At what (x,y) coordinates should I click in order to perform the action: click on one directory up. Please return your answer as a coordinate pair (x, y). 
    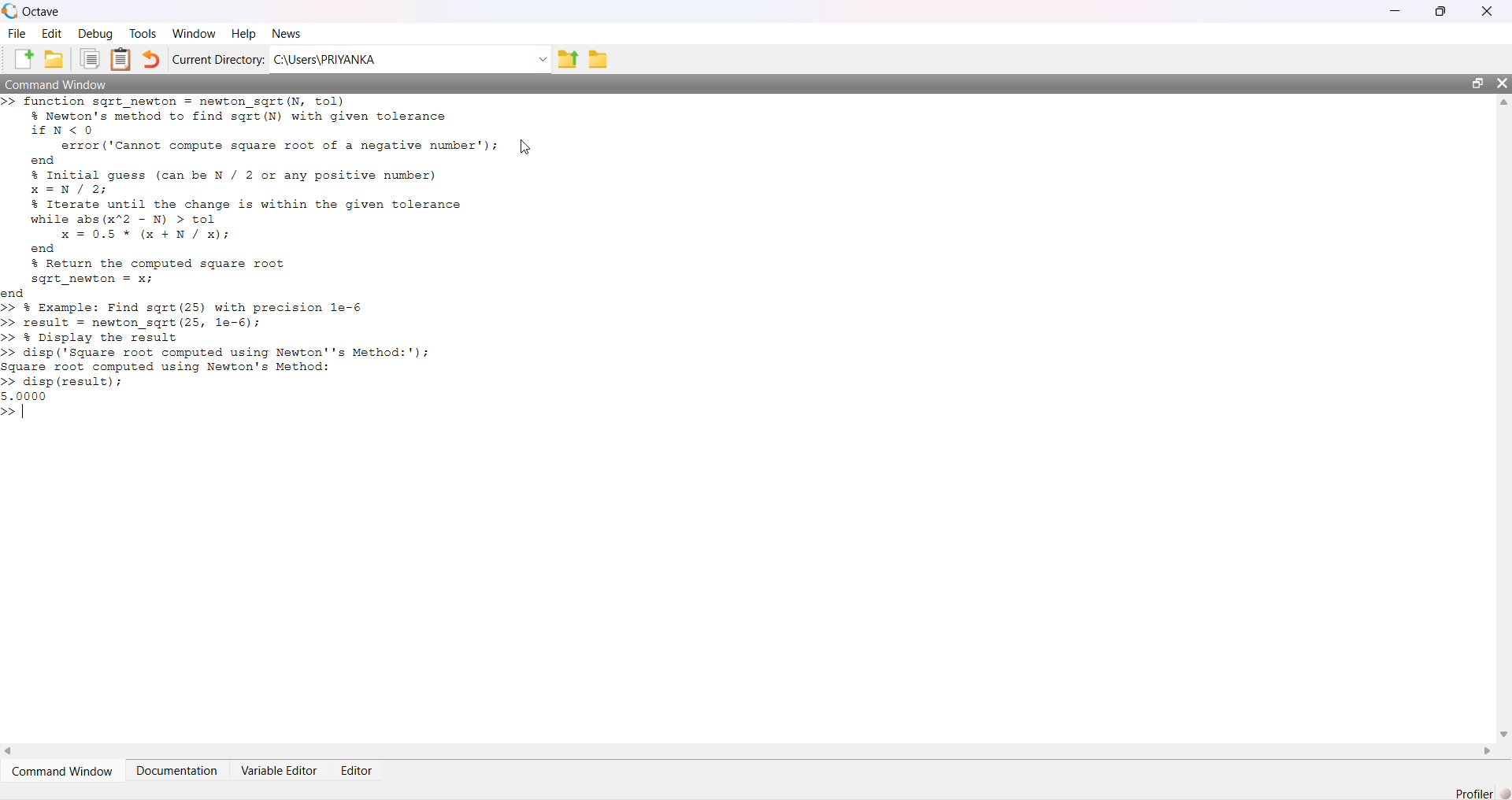
    Looking at the image, I should click on (567, 57).